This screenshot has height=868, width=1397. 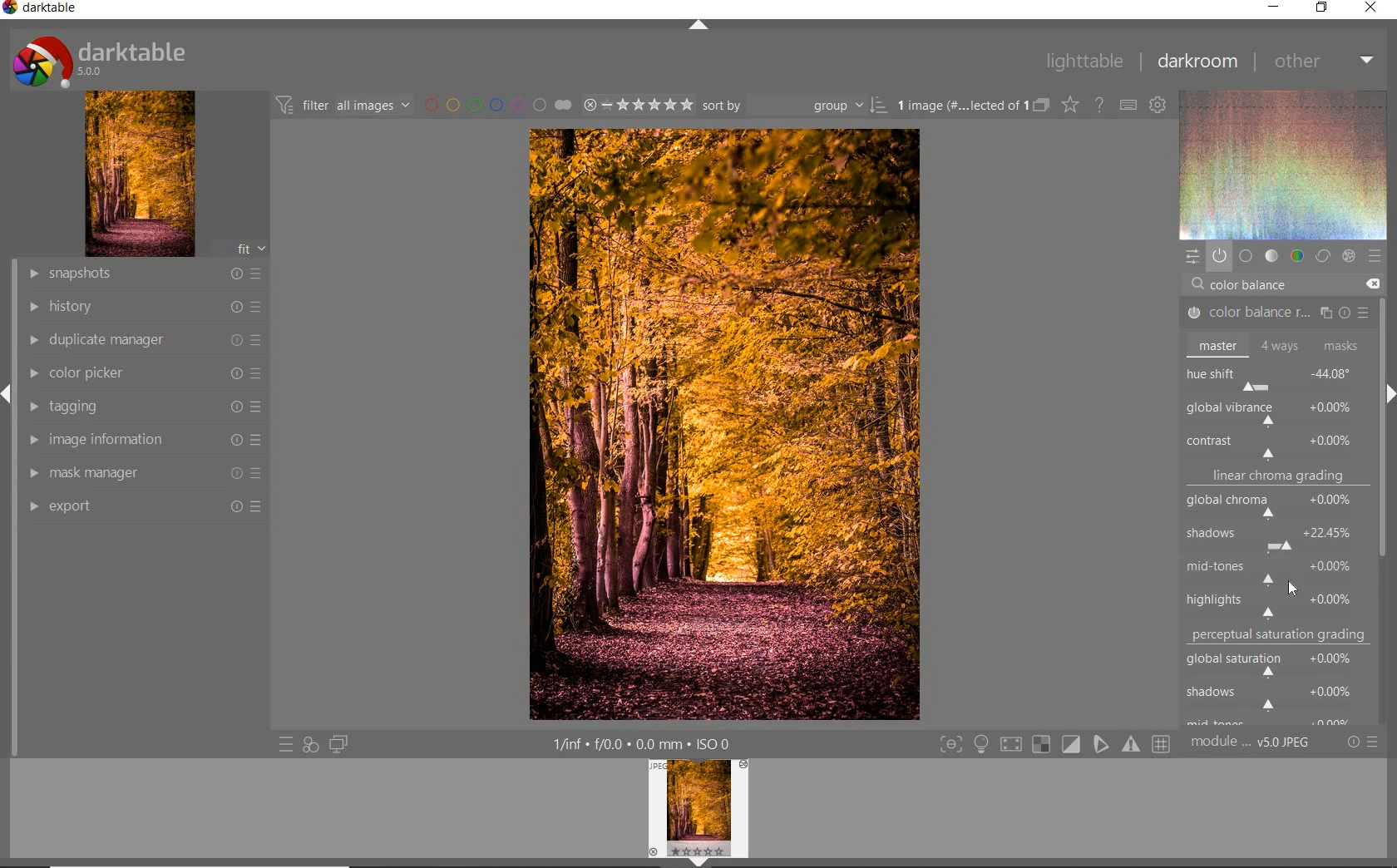 I want to click on show global preference, so click(x=1159, y=106).